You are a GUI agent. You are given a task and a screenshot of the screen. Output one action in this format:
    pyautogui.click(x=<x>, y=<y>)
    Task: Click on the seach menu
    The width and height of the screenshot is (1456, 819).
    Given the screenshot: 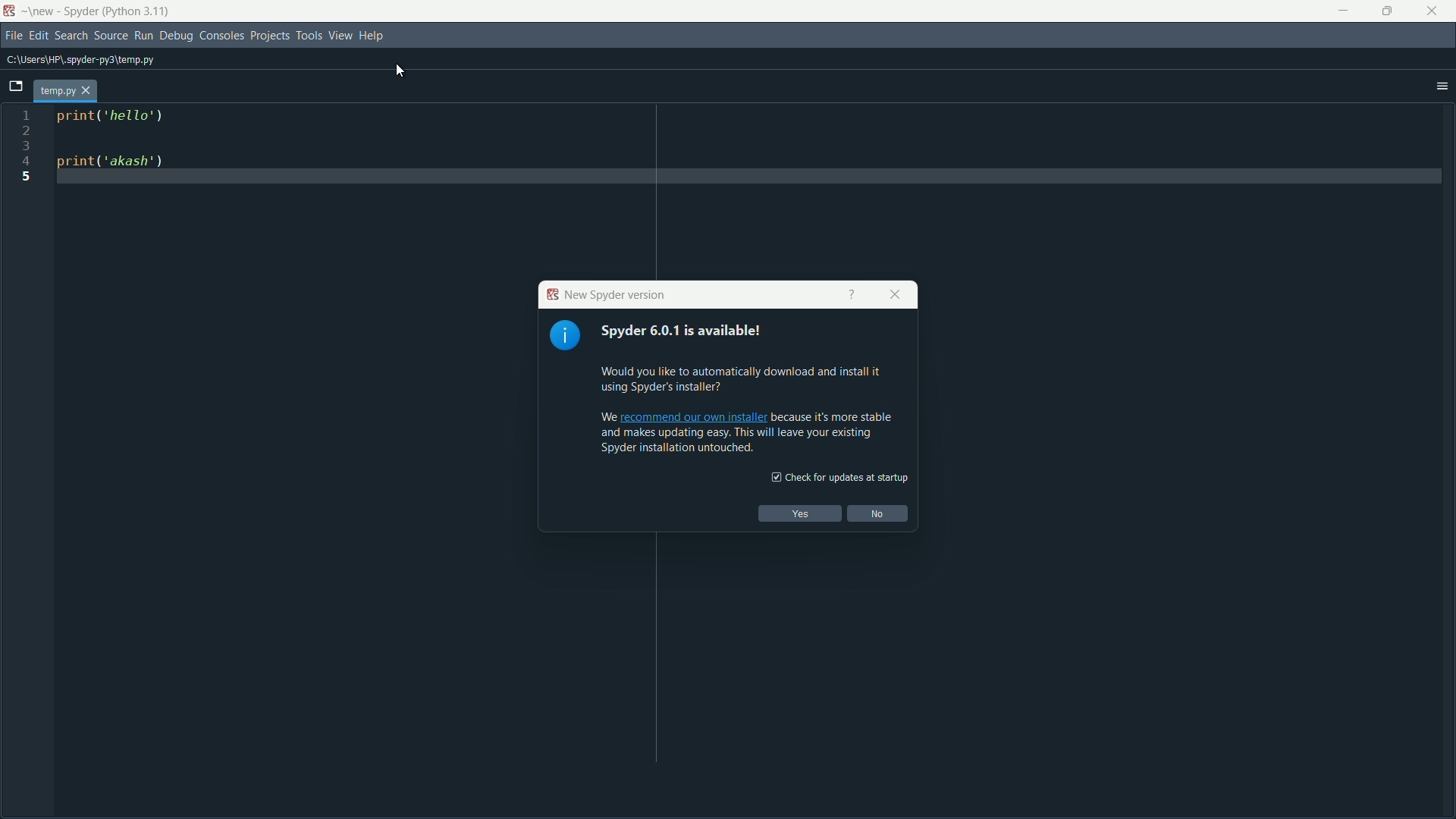 What is the action you would take?
    pyautogui.click(x=71, y=35)
    